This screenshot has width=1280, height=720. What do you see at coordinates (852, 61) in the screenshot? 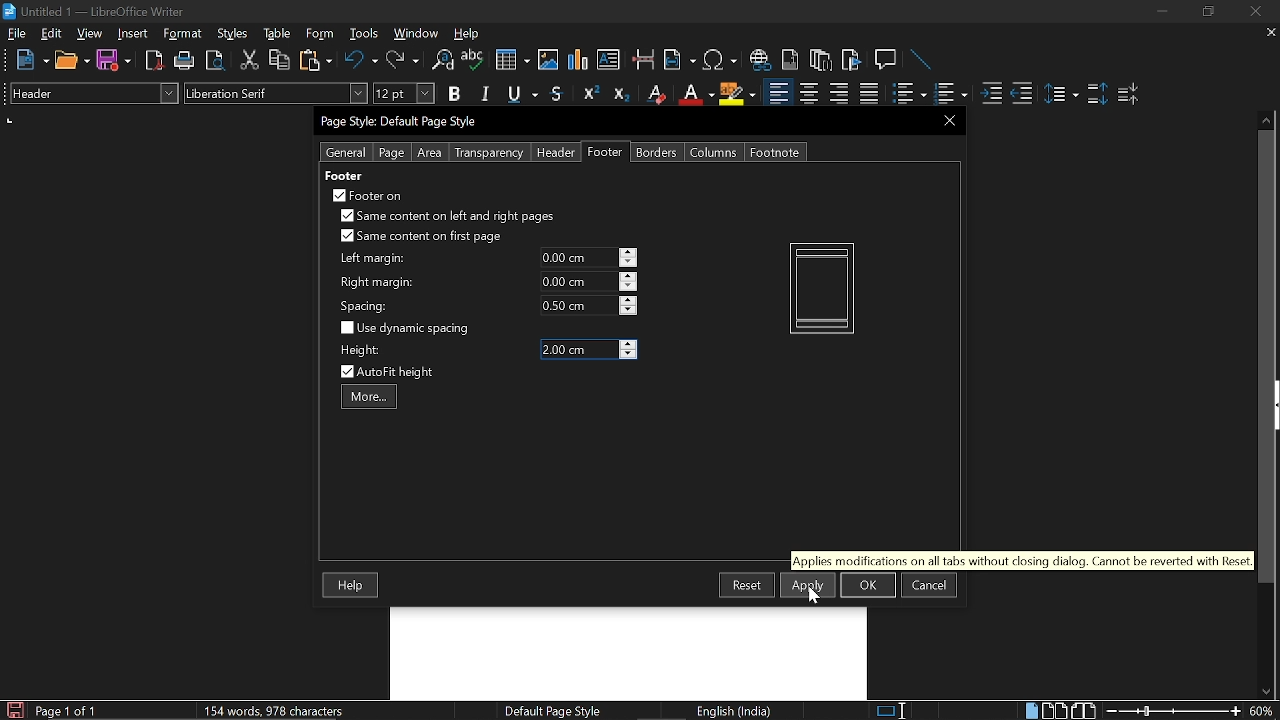
I see `Insert bibliography` at bounding box center [852, 61].